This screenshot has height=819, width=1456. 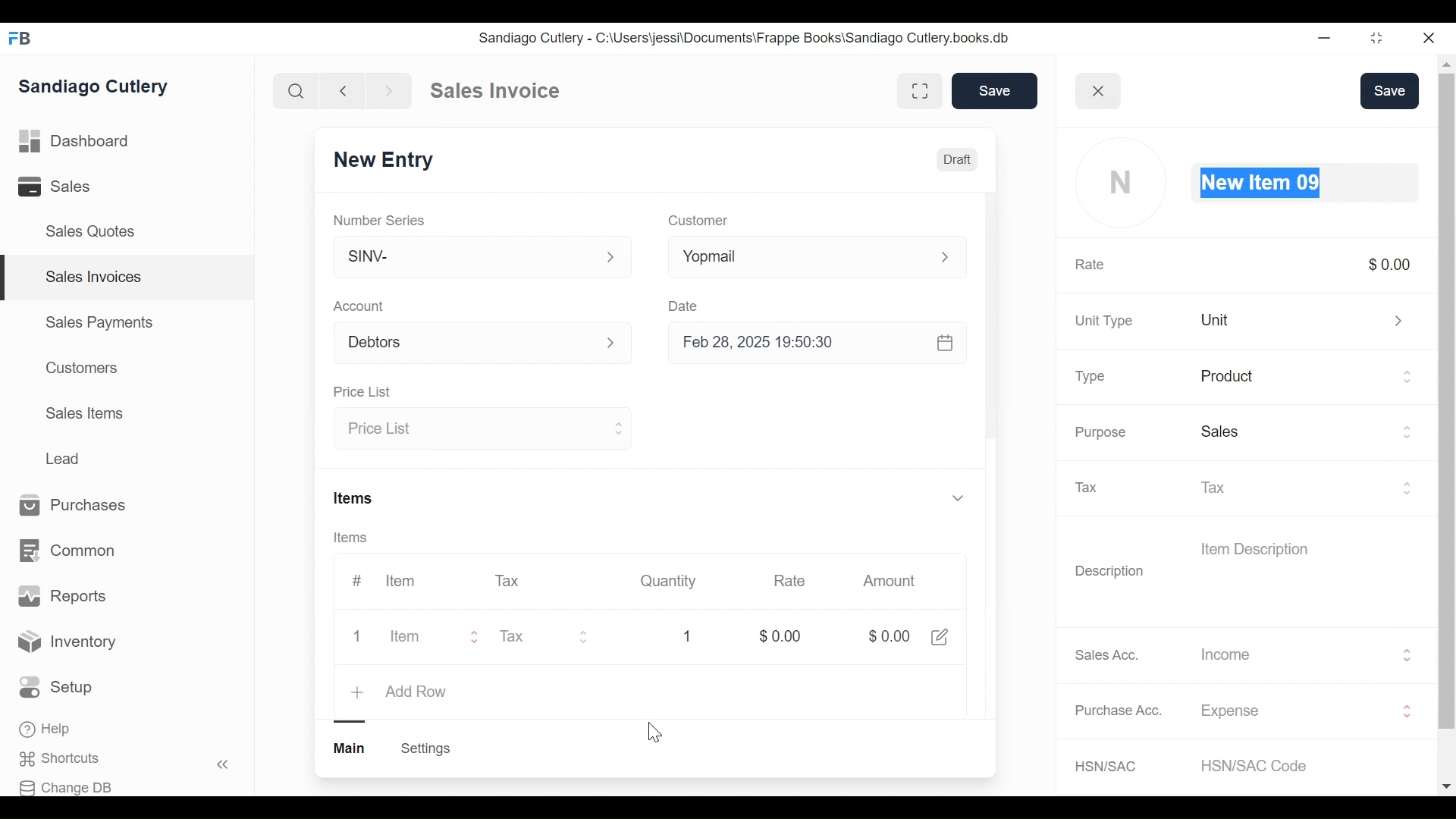 What do you see at coordinates (20, 38) in the screenshot?
I see `FB logo` at bounding box center [20, 38].